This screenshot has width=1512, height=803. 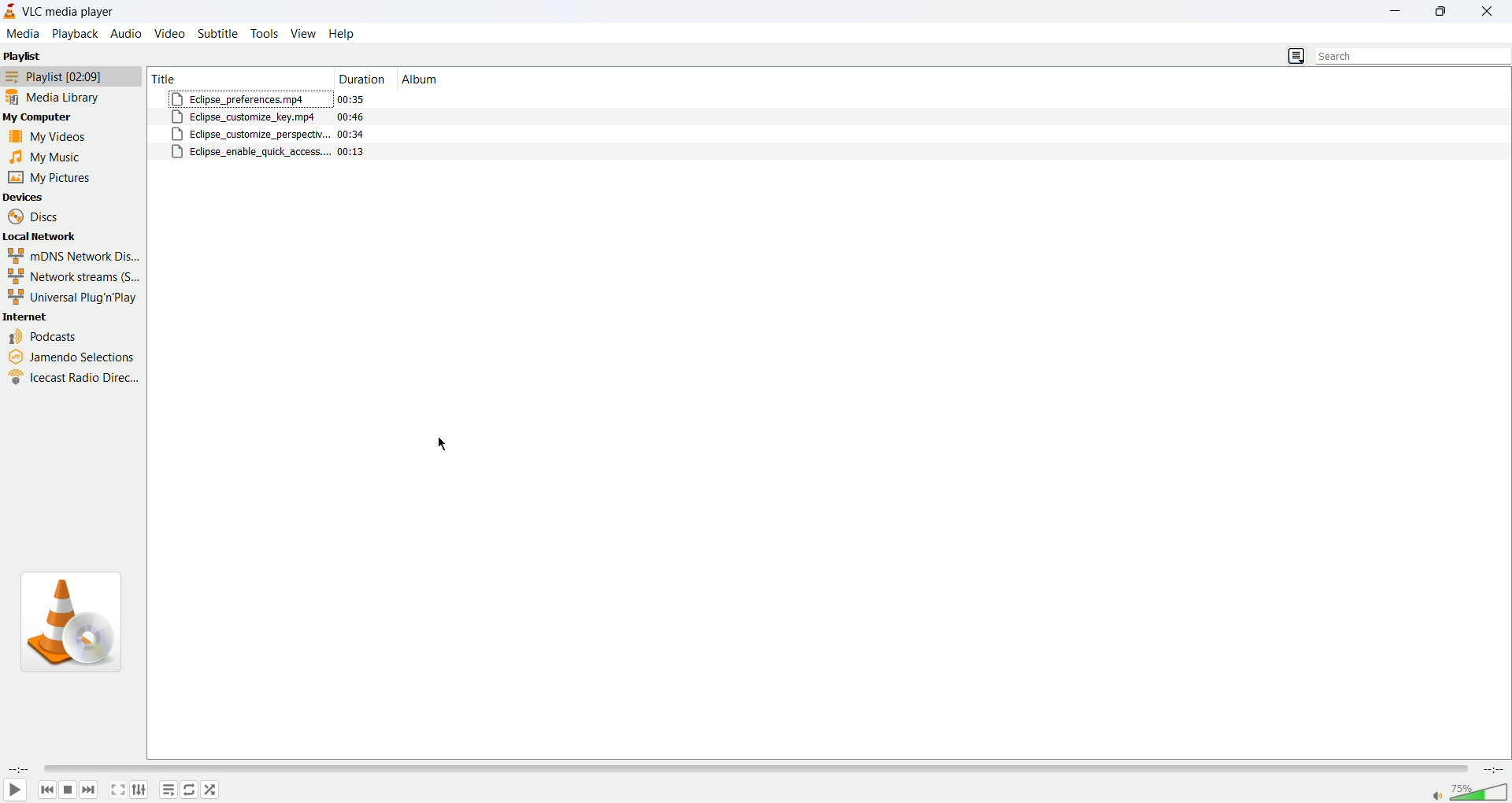 I want to click on back, so click(x=46, y=790).